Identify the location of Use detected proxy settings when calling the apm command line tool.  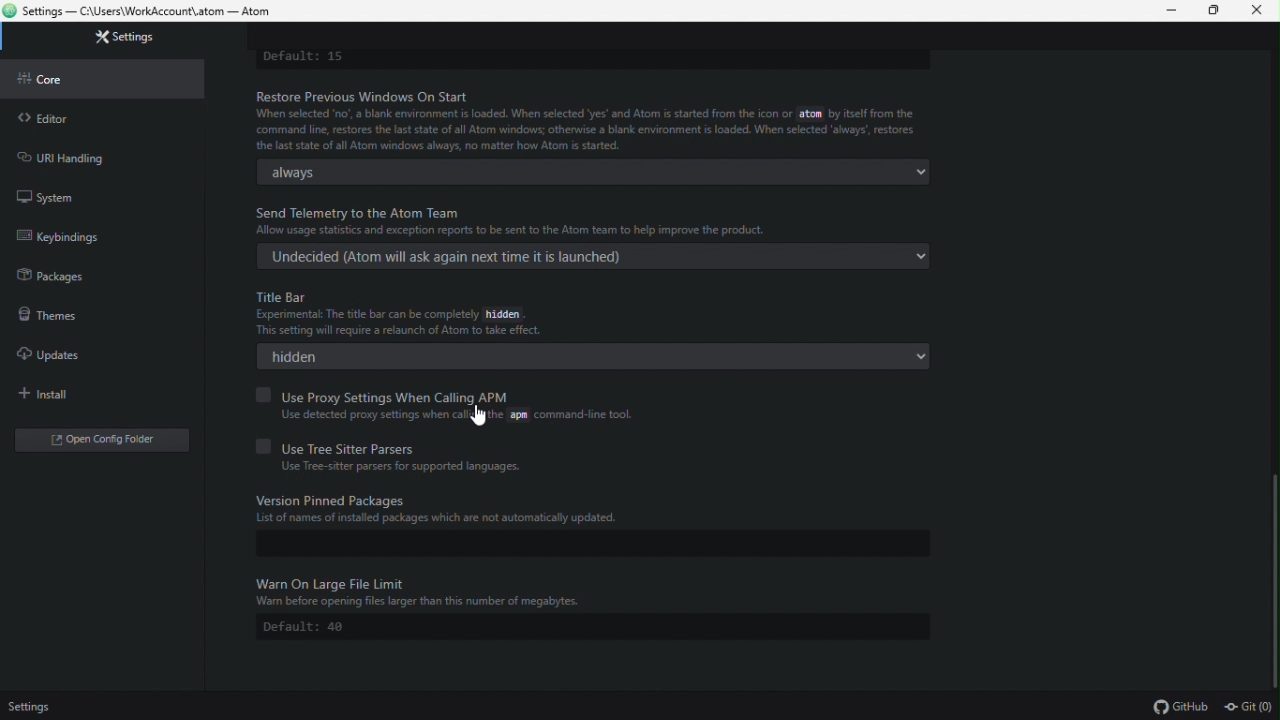
(460, 416).